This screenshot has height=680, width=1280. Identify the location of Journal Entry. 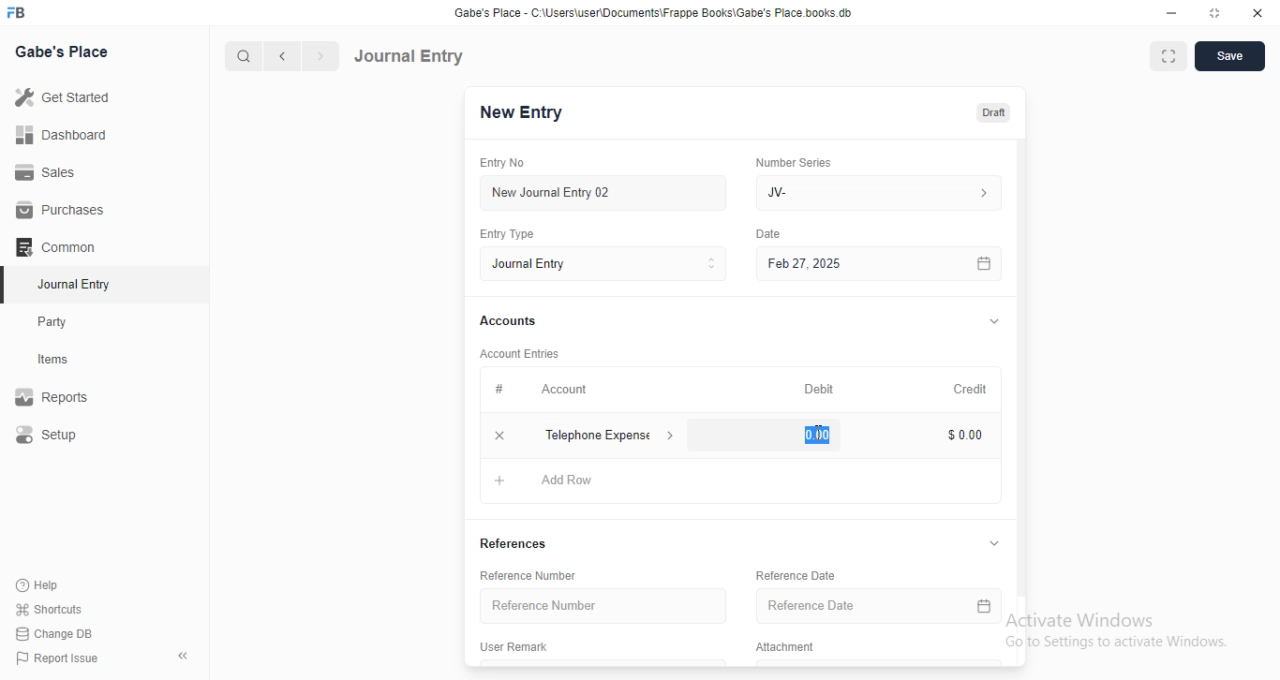
(603, 264).